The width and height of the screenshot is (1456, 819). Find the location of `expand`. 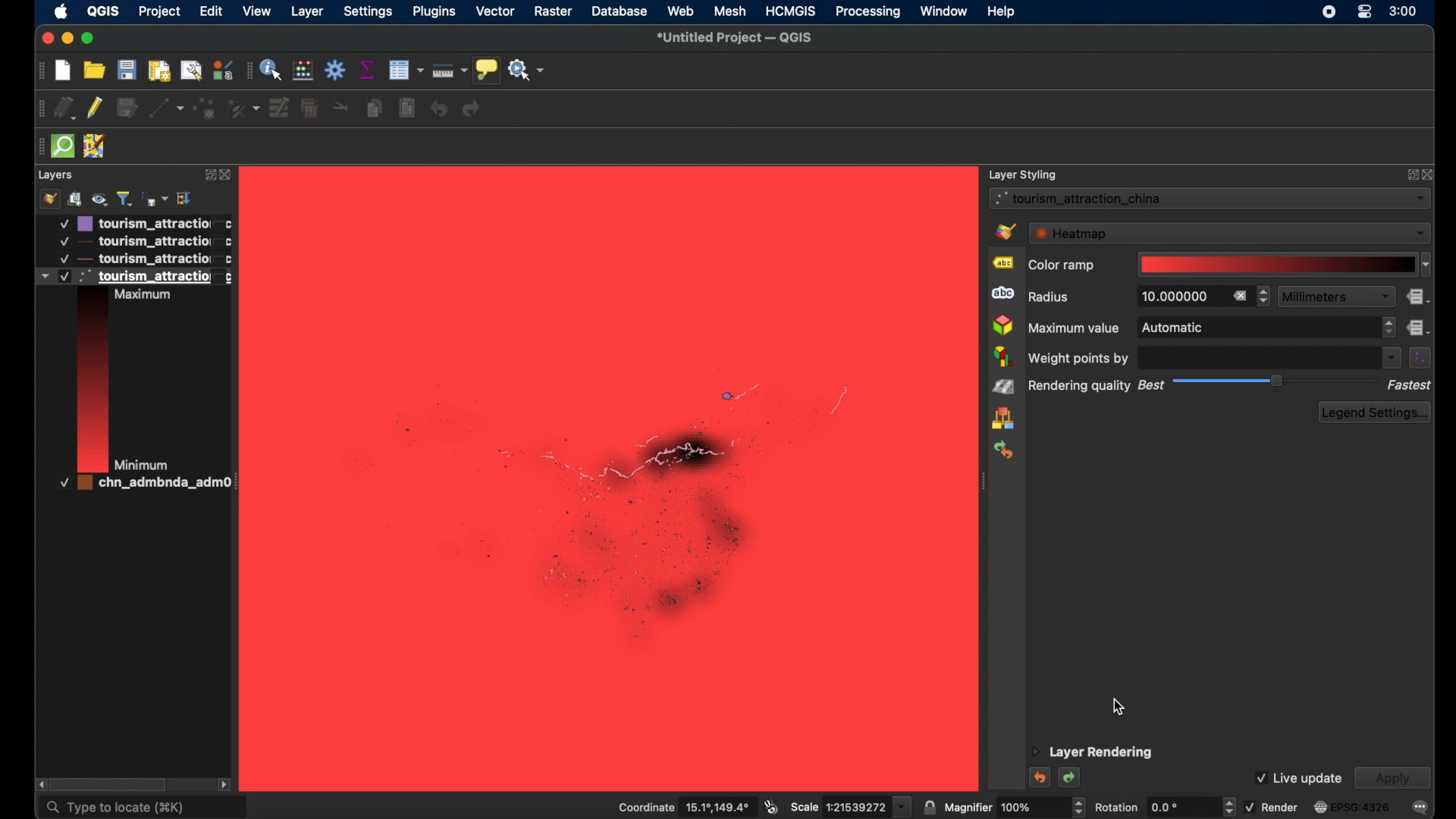

expand is located at coordinates (1410, 177).